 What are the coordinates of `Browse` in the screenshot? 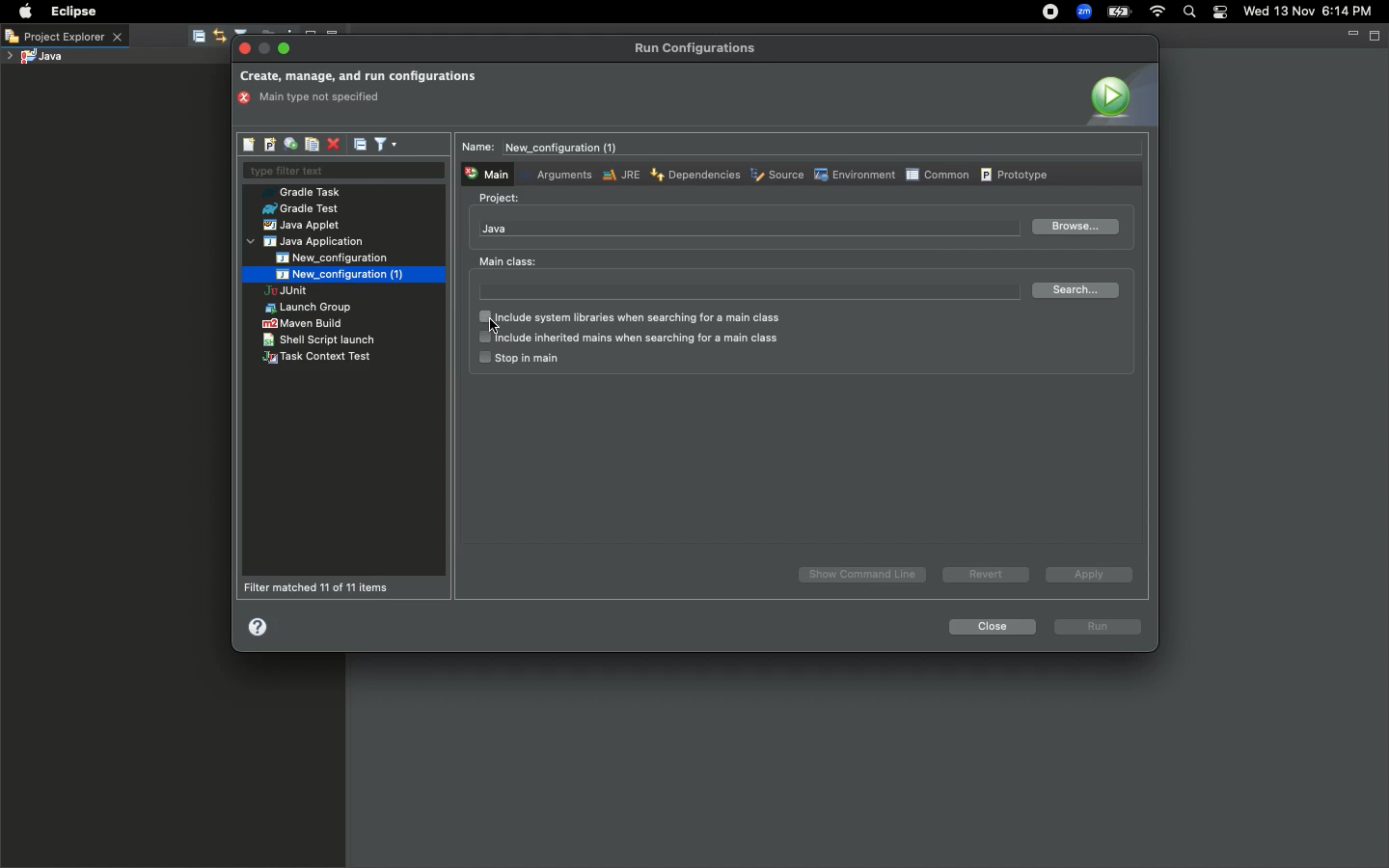 It's located at (1074, 228).